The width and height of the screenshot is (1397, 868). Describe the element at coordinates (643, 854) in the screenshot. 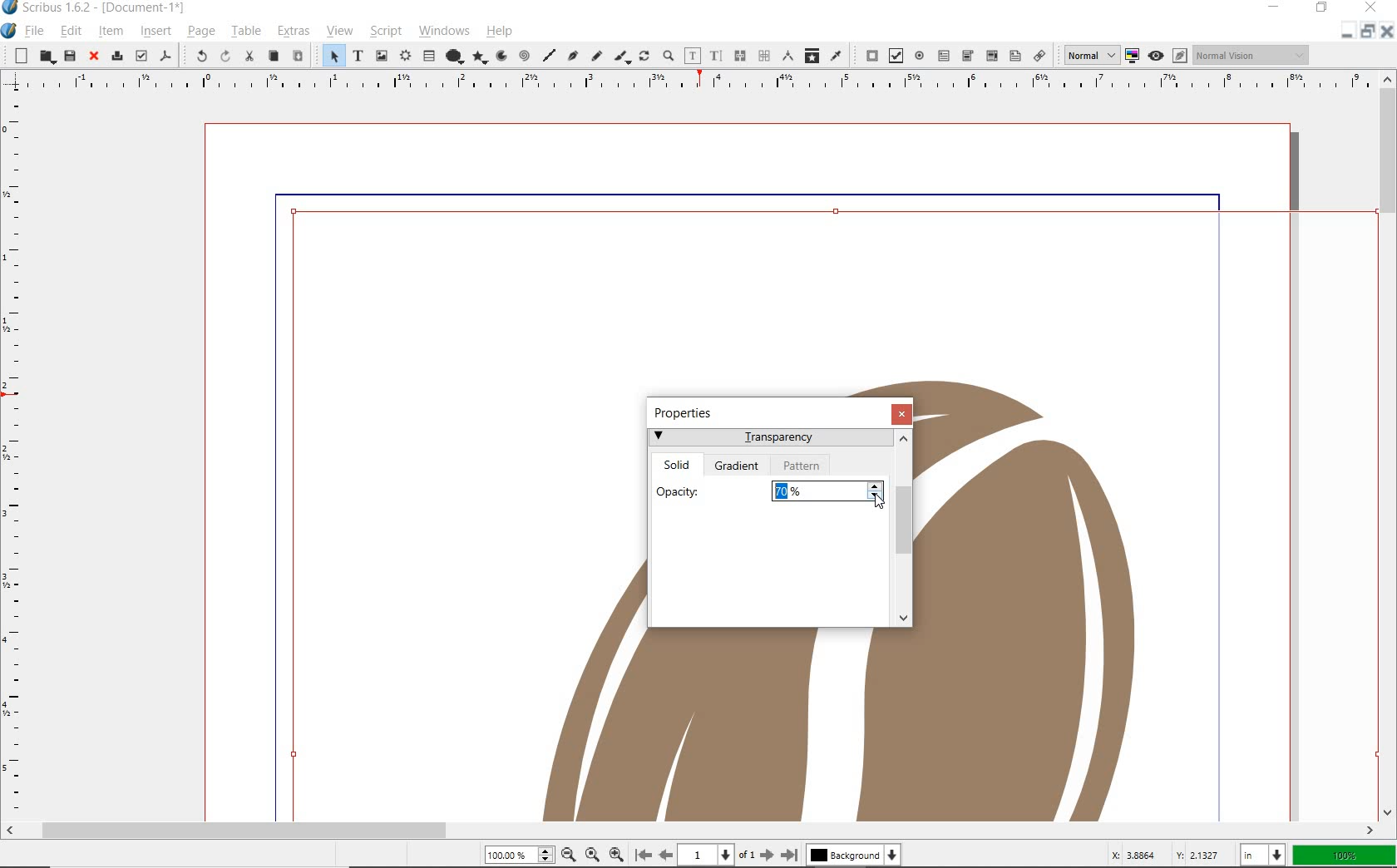

I see `First Page` at that location.